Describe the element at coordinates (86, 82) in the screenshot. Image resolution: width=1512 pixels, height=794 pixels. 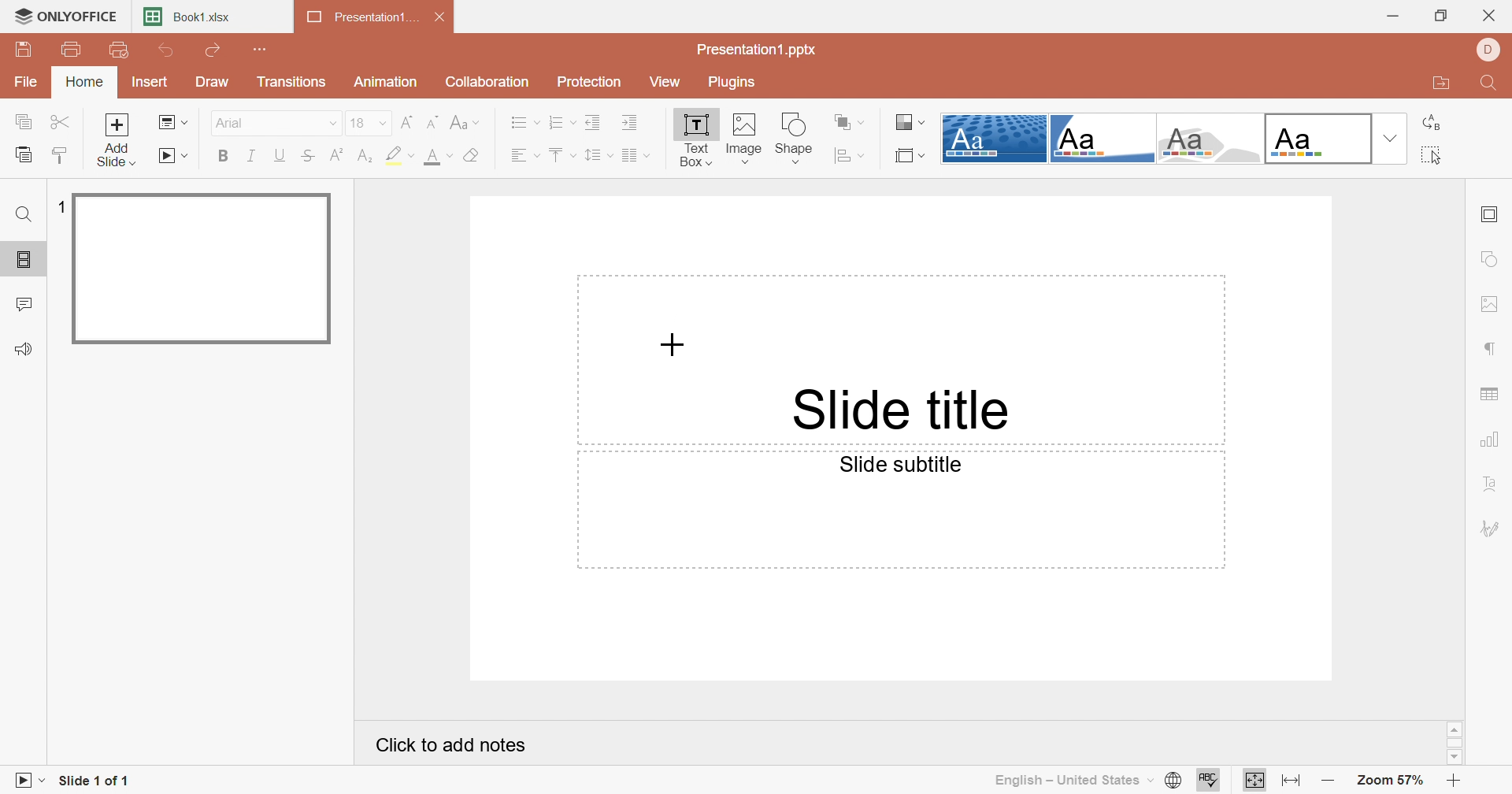
I see `Home` at that location.